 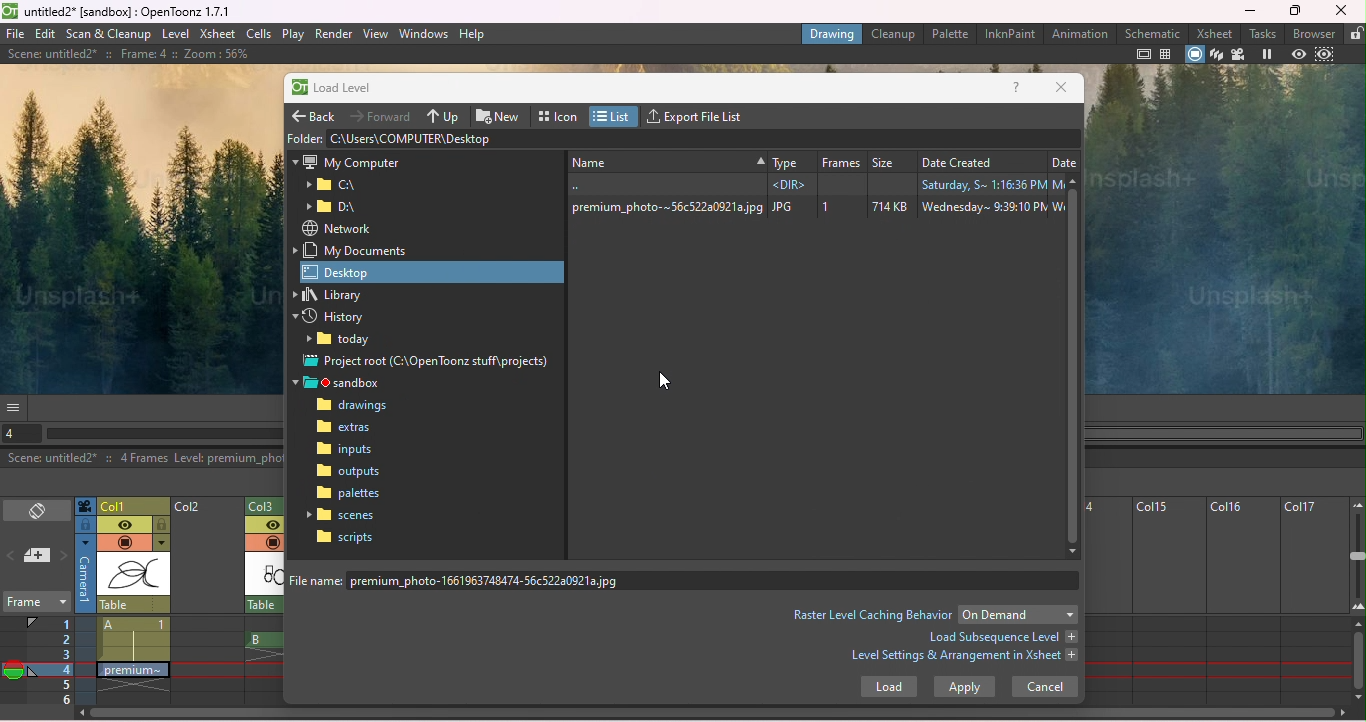 What do you see at coordinates (951, 33) in the screenshot?
I see `Palette` at bounding box center [951, 33].